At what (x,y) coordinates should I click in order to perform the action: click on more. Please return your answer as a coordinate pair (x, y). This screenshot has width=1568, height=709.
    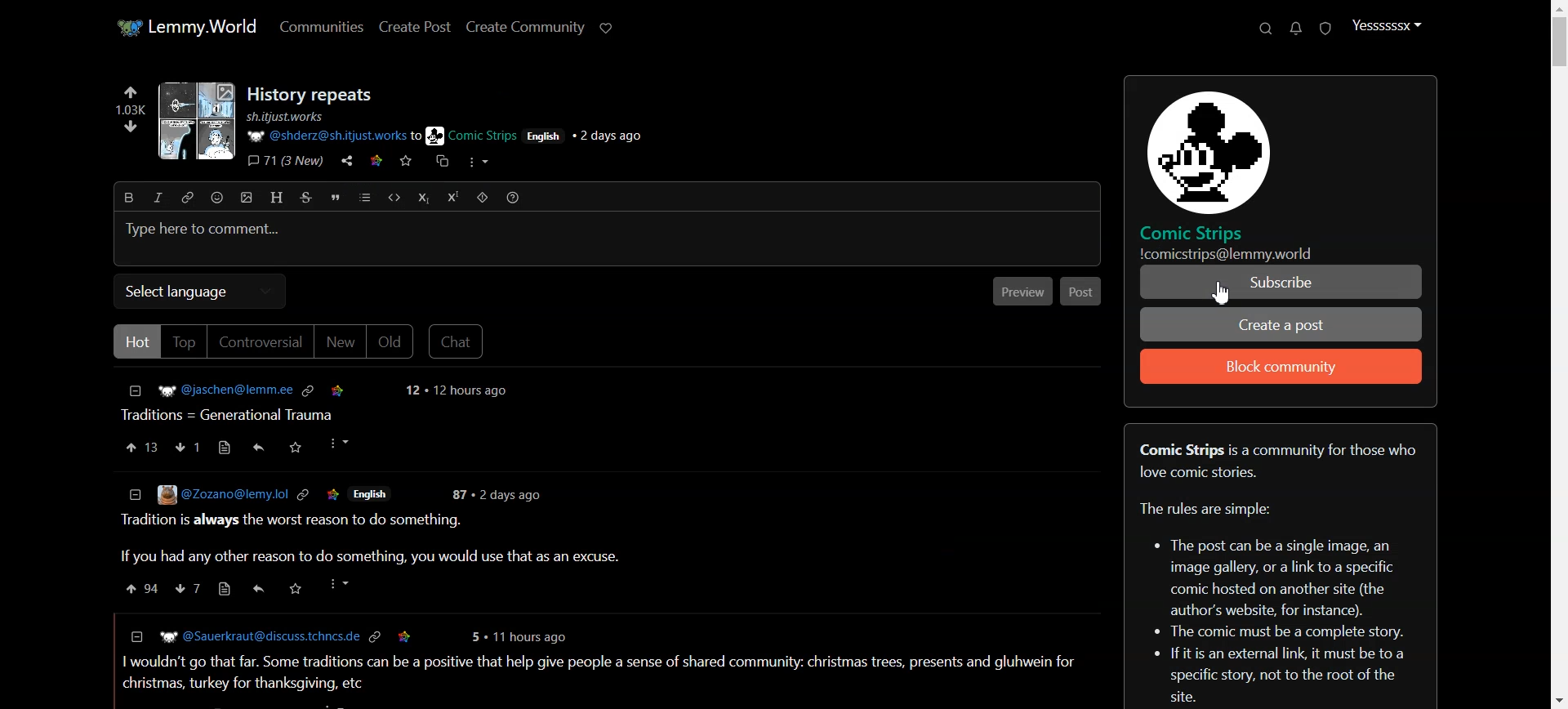
    Looking at the image, I should click on (336, 584).